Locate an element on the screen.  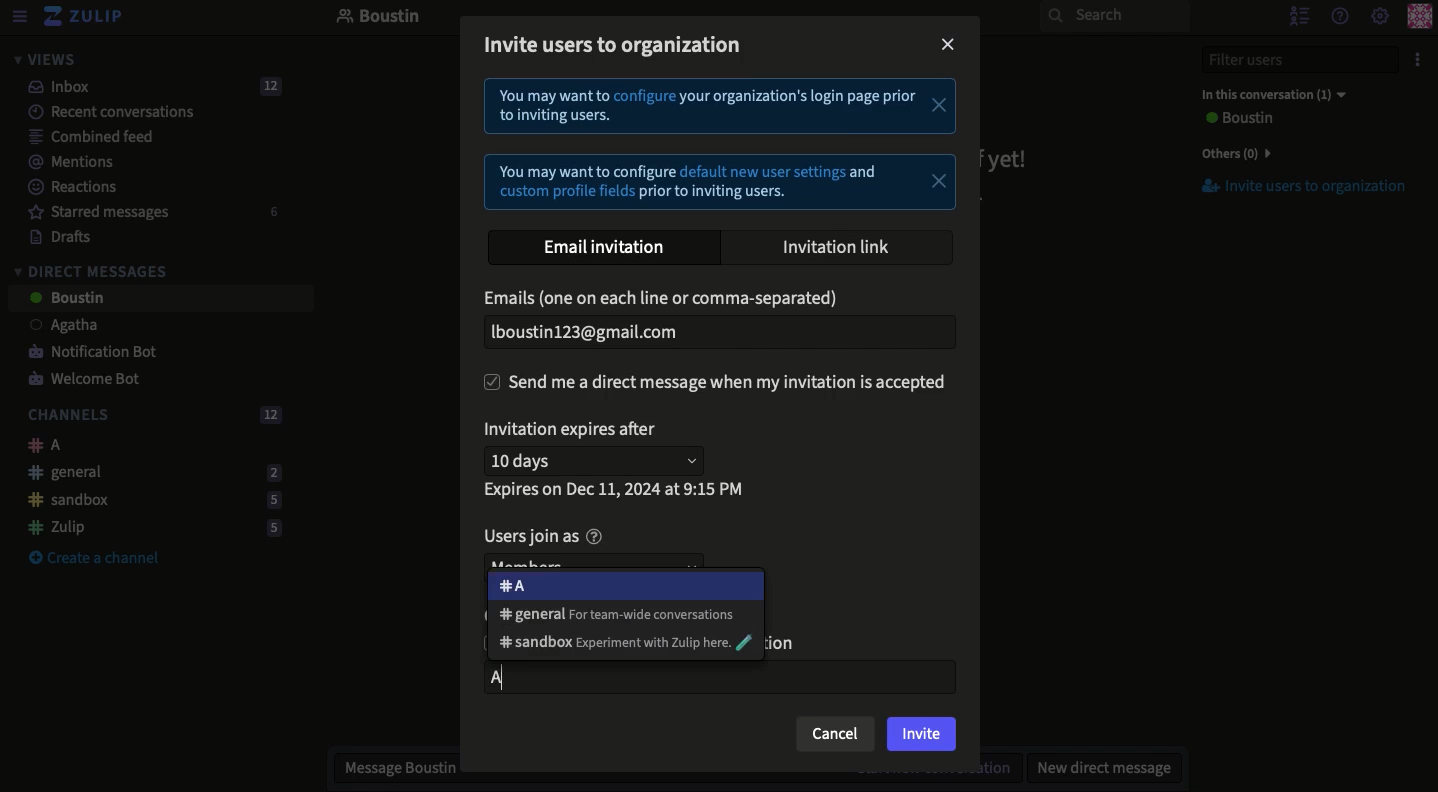
User 1 is located at coordinates (53, 327).